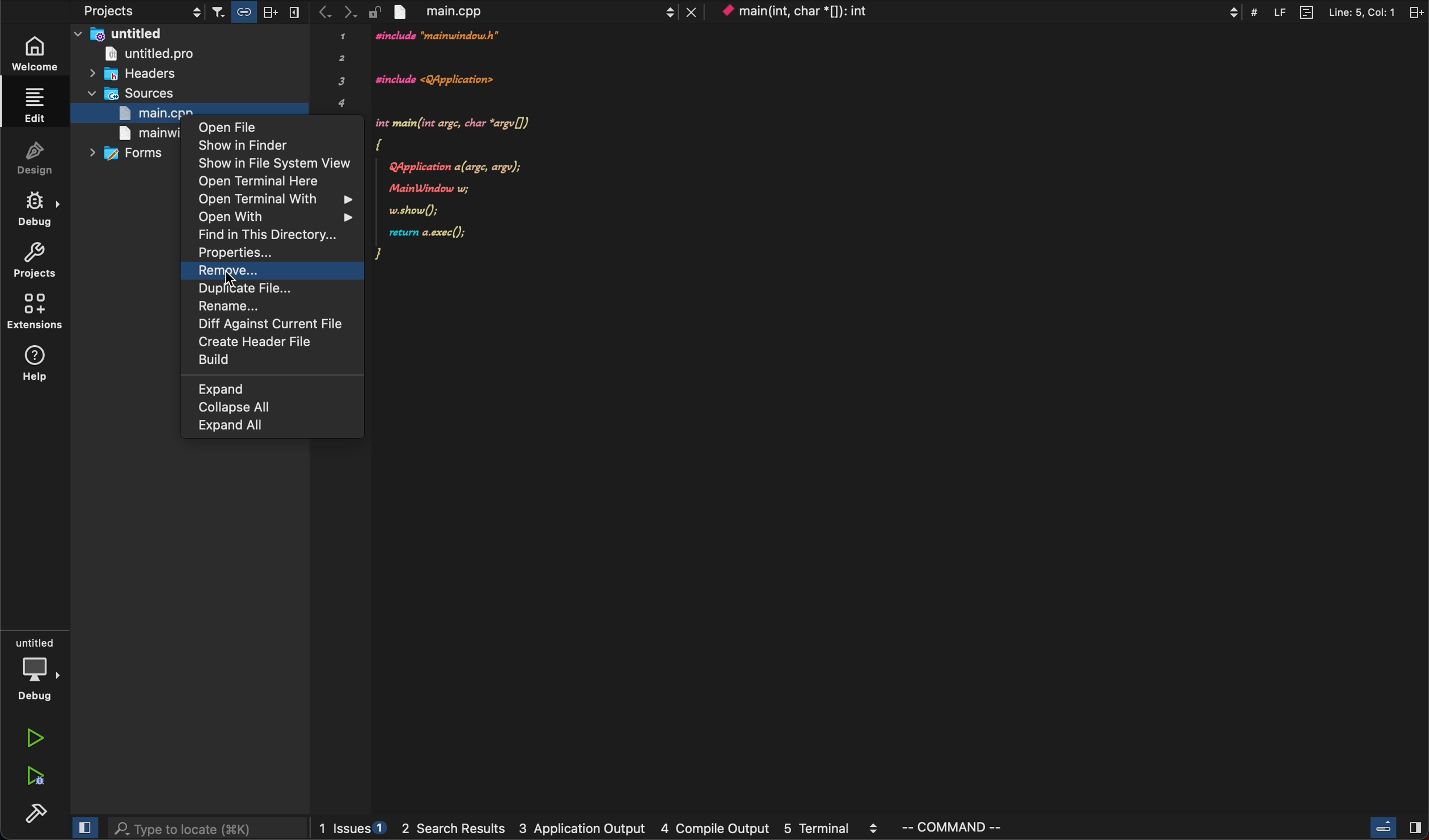 This screenshot has width=1429, height=840. I want to click on edit, so click(36, 107).